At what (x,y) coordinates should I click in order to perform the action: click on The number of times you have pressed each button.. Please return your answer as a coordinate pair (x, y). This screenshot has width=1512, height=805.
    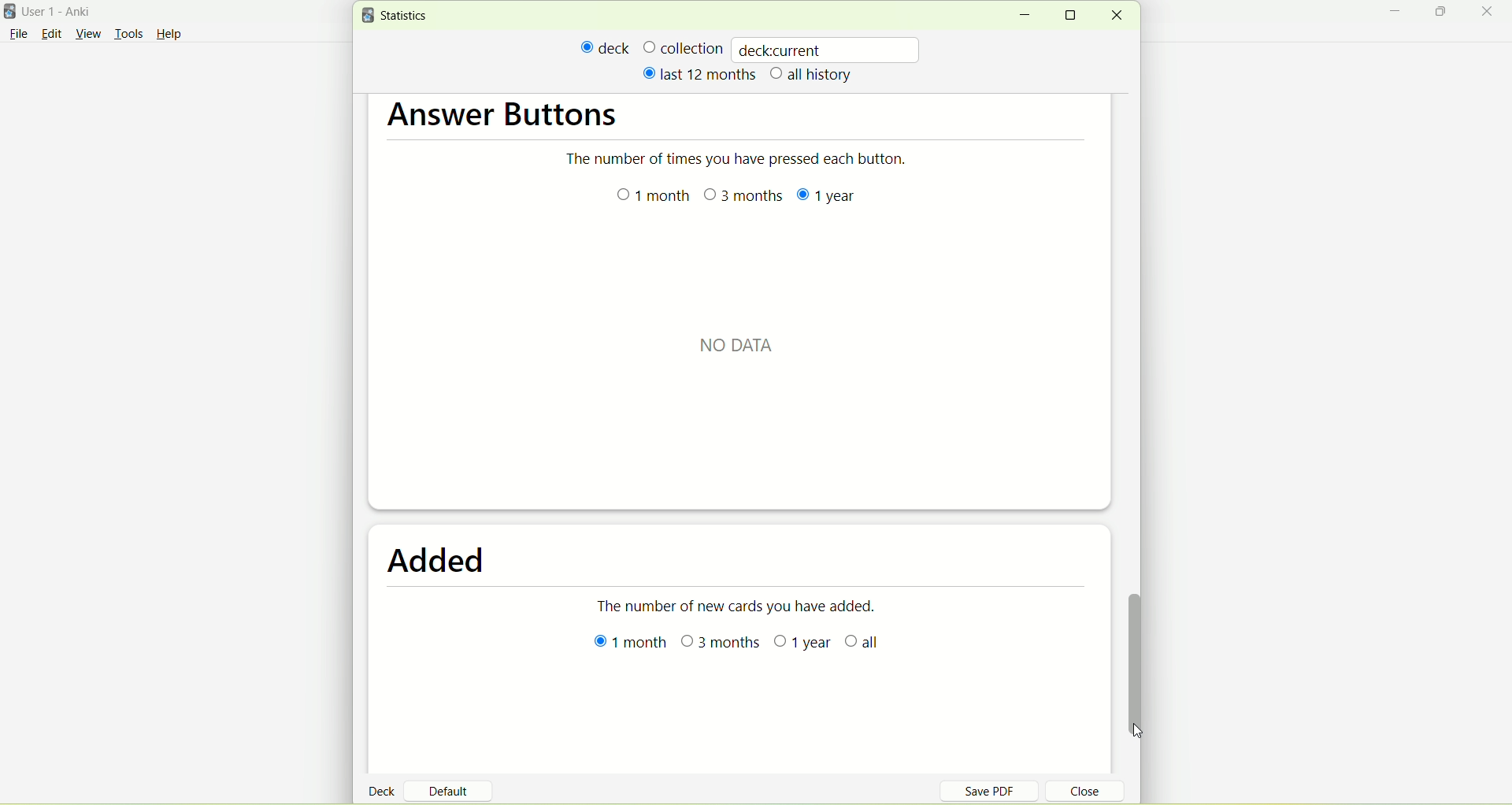
    Looking at the image, I should click on (743, 159).